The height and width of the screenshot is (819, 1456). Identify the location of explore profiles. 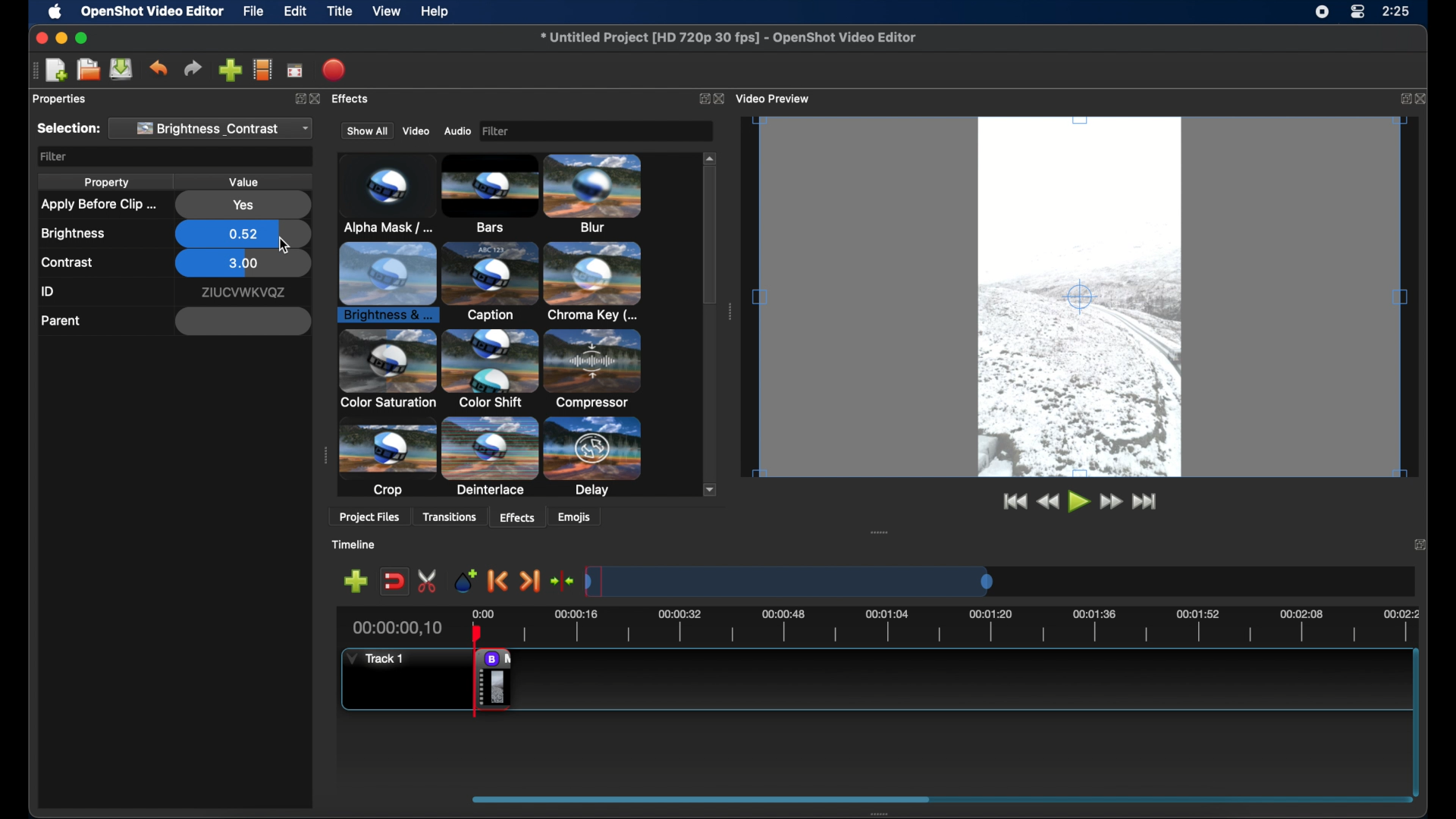
(264, 71).